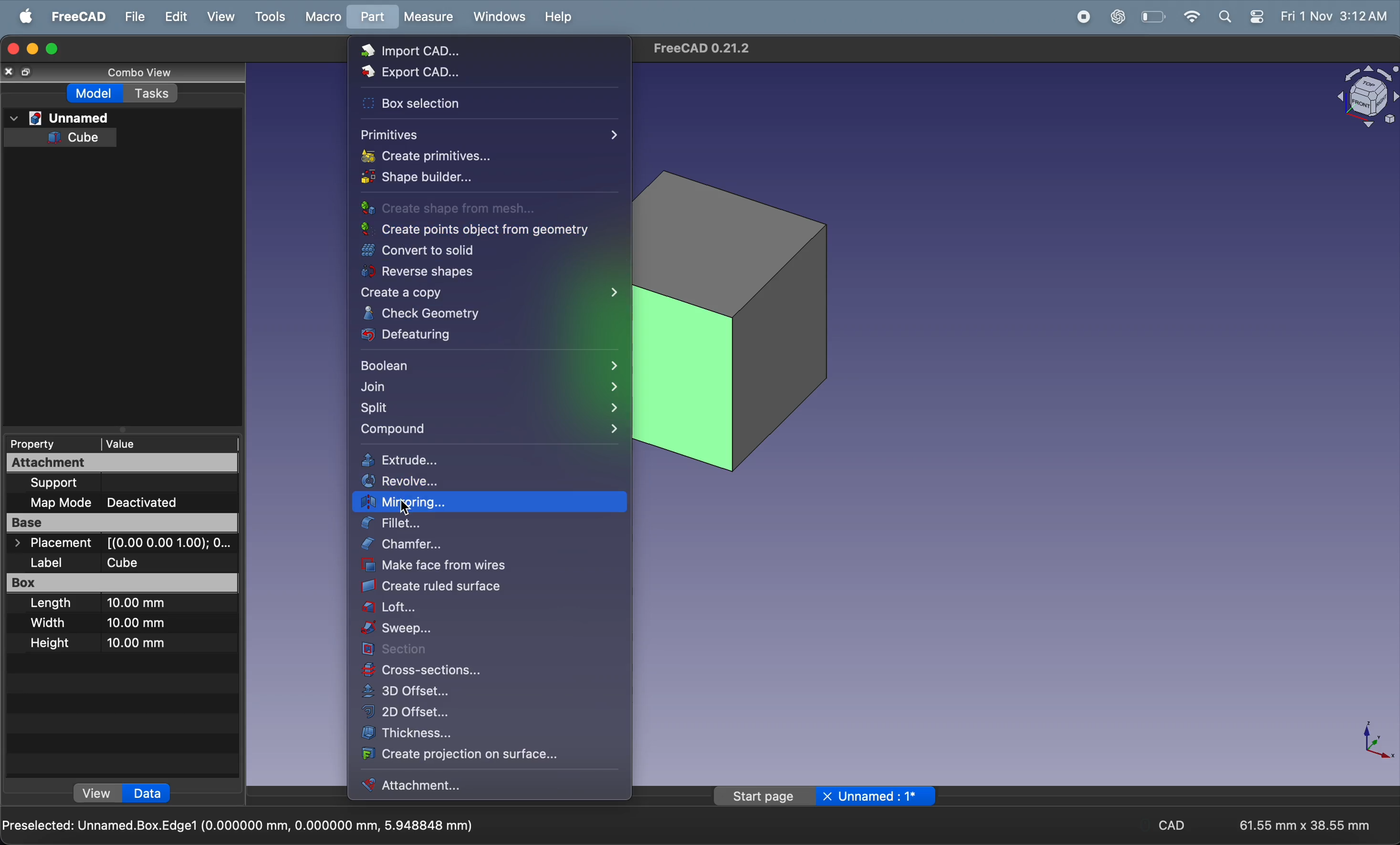 The width and height of the screenshot is (1400, 845). Describe the element at coordinates (487, 294) in the screenshot. I see `create a copy` at that location.